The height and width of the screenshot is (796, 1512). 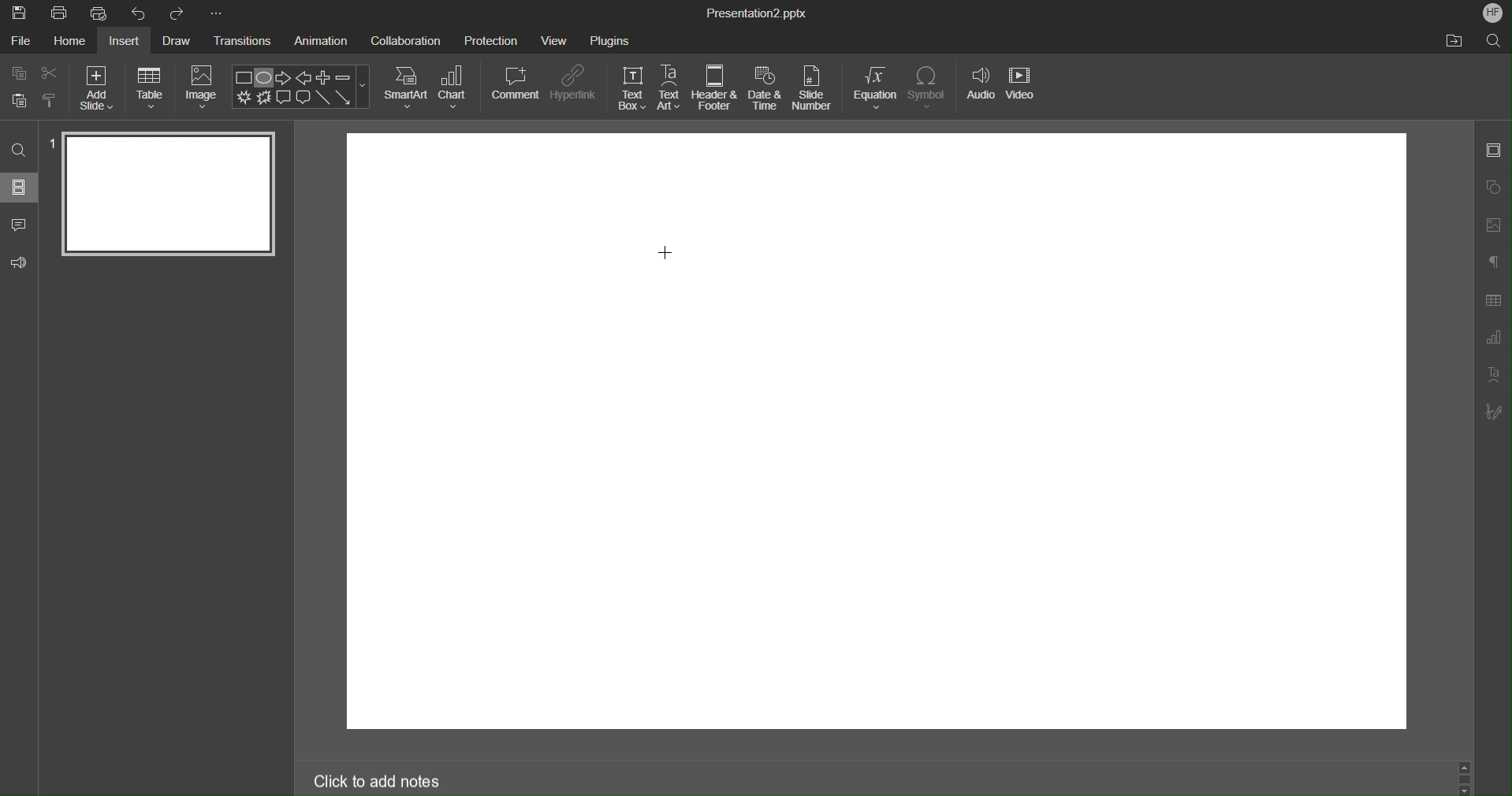 I want to click on Hyperlink, so click(x=573, y=84).